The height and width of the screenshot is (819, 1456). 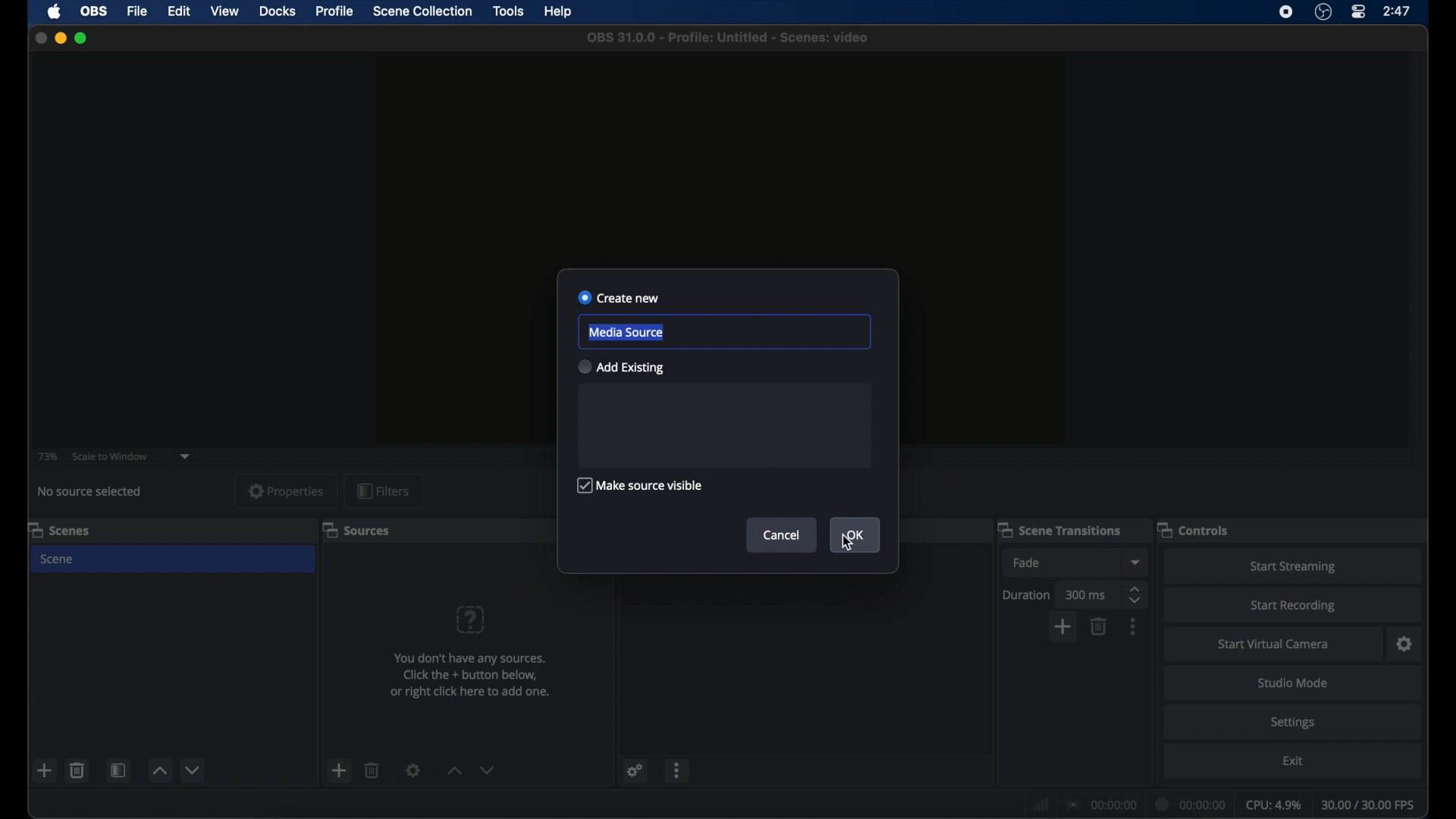 What do you see at coordinates (338, 770) in the screenshot?
I see `add` at bounding box center [338, 770].